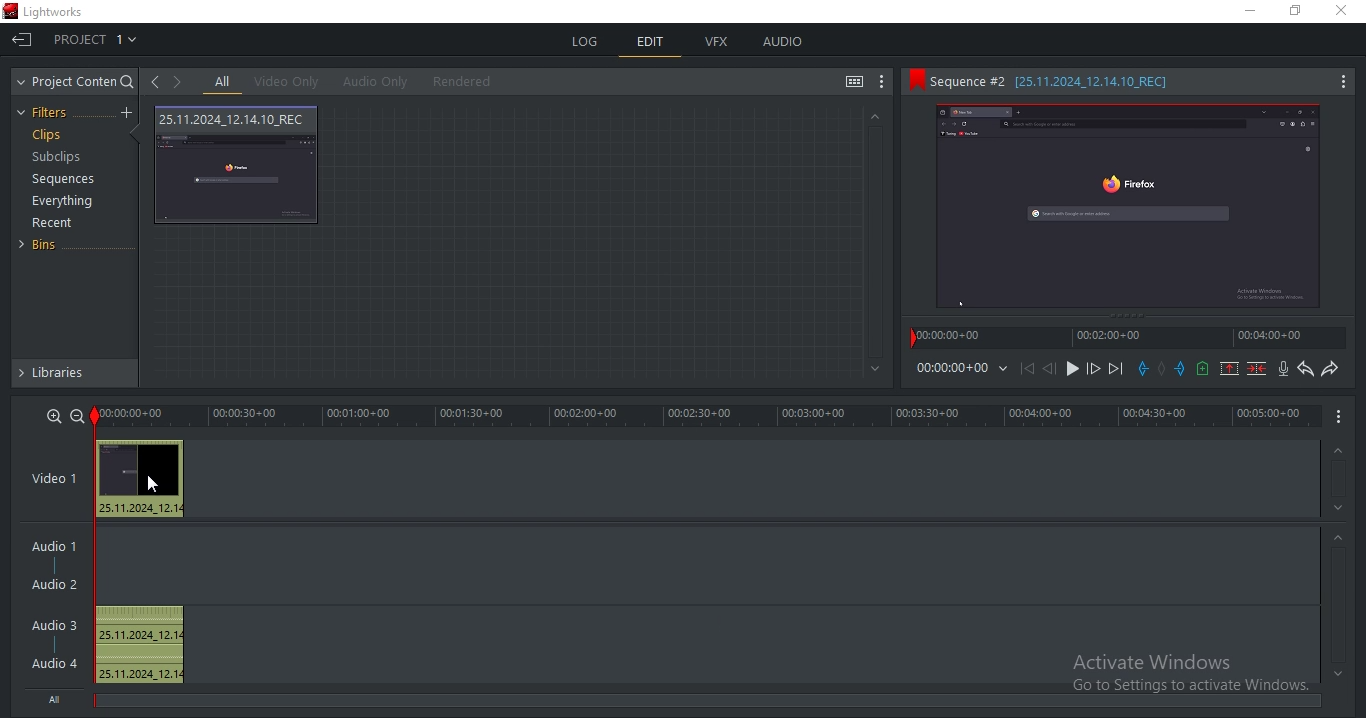 The image size is (1366, 718). I want to click on close, so click(1346, 12).